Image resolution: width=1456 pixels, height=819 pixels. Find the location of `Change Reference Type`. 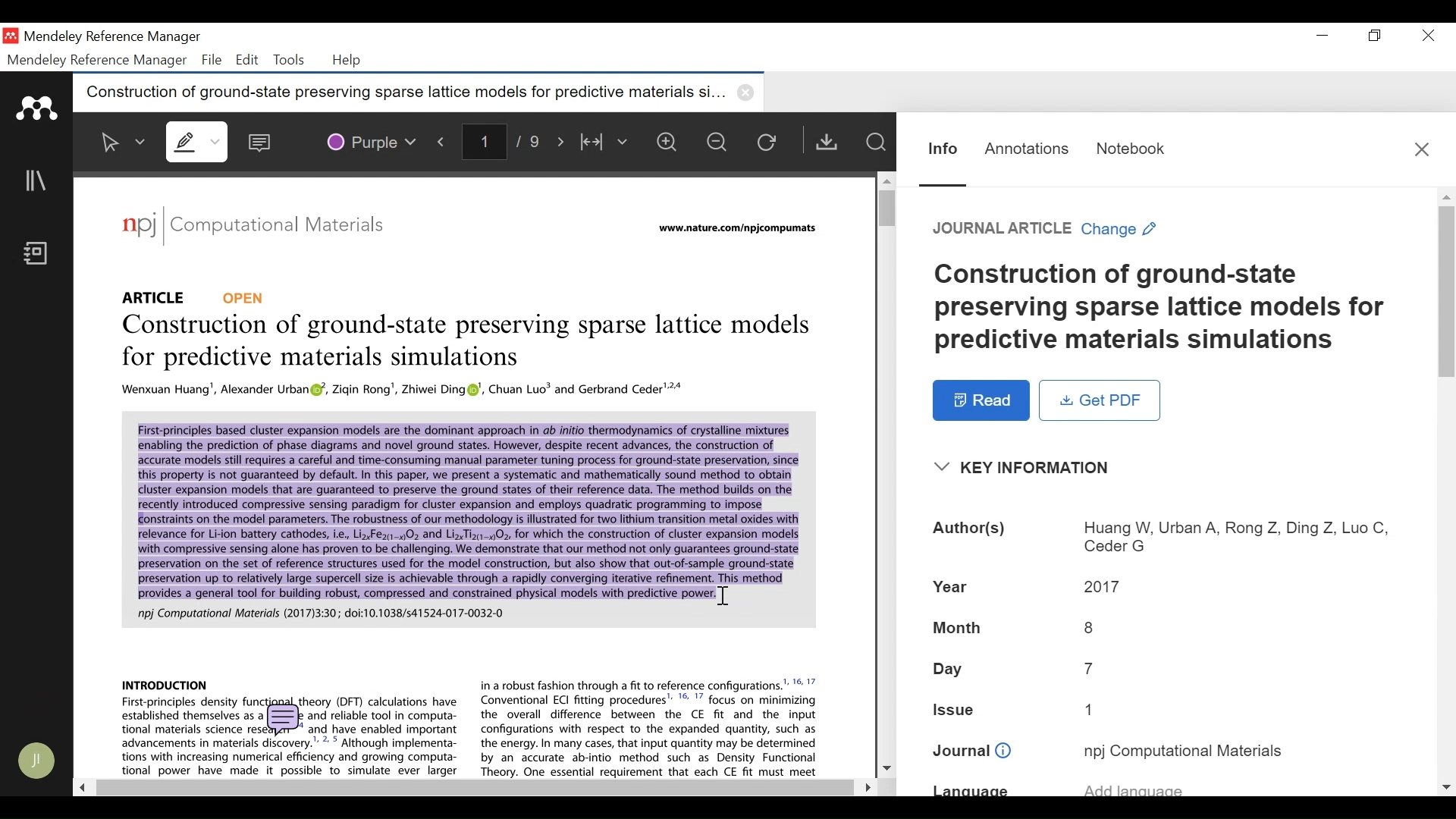

Change Reference Type is located at coordinates (1045, 228).